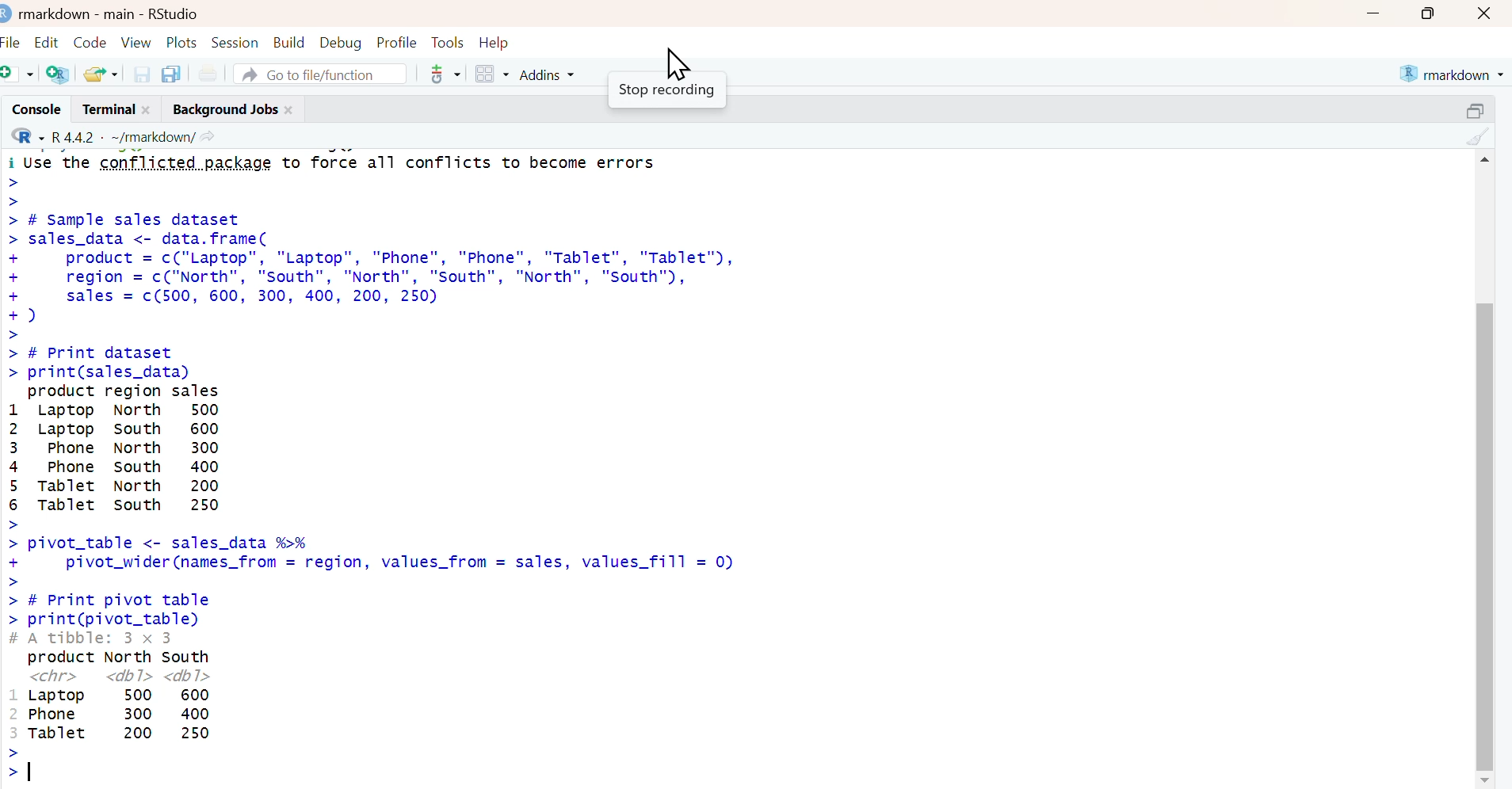 The image size is (1512, 789). Describe the element at coordinates (1483, 158) in the screenshot. I see `scroll up` at that location.